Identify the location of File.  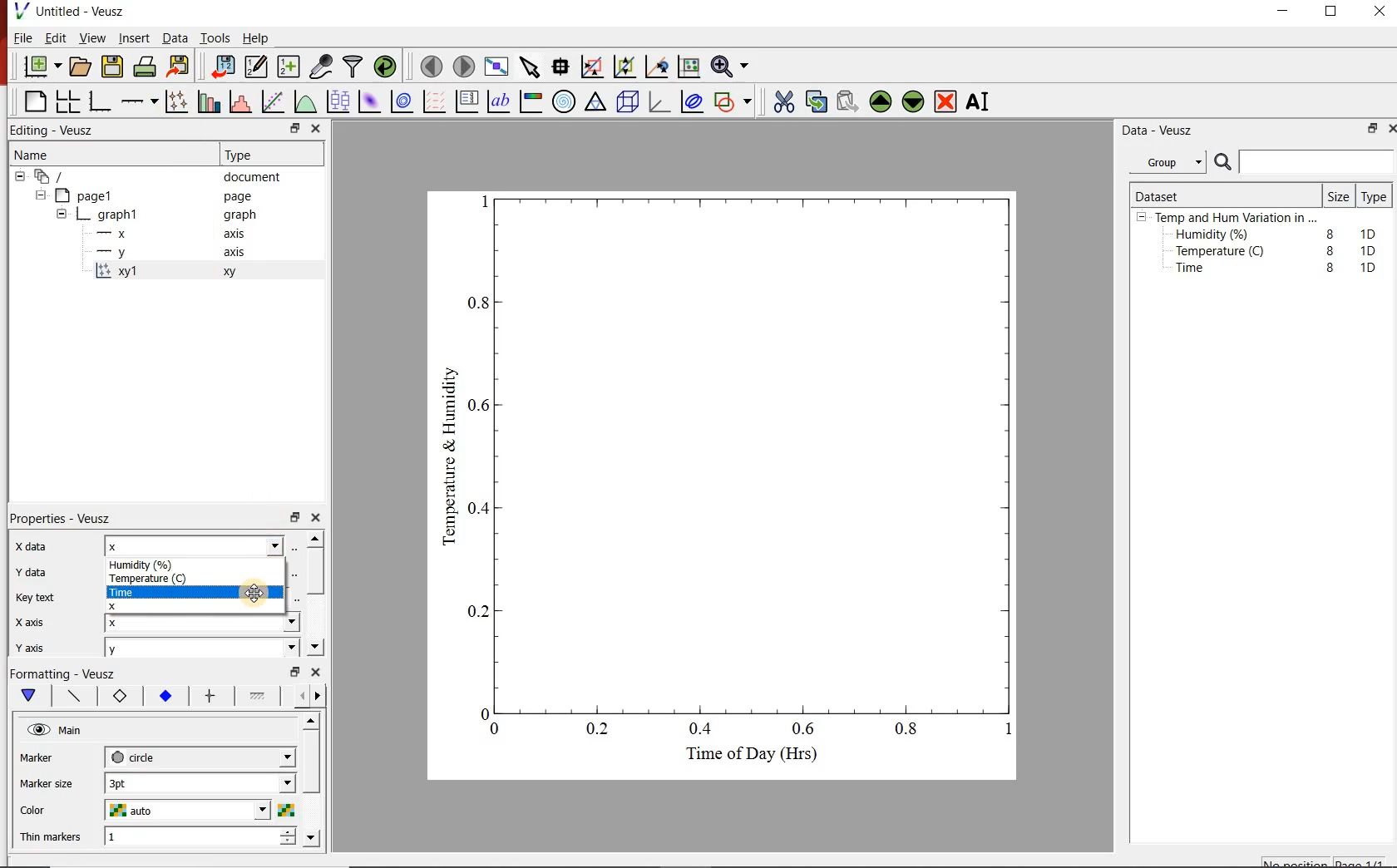
(19, 37).